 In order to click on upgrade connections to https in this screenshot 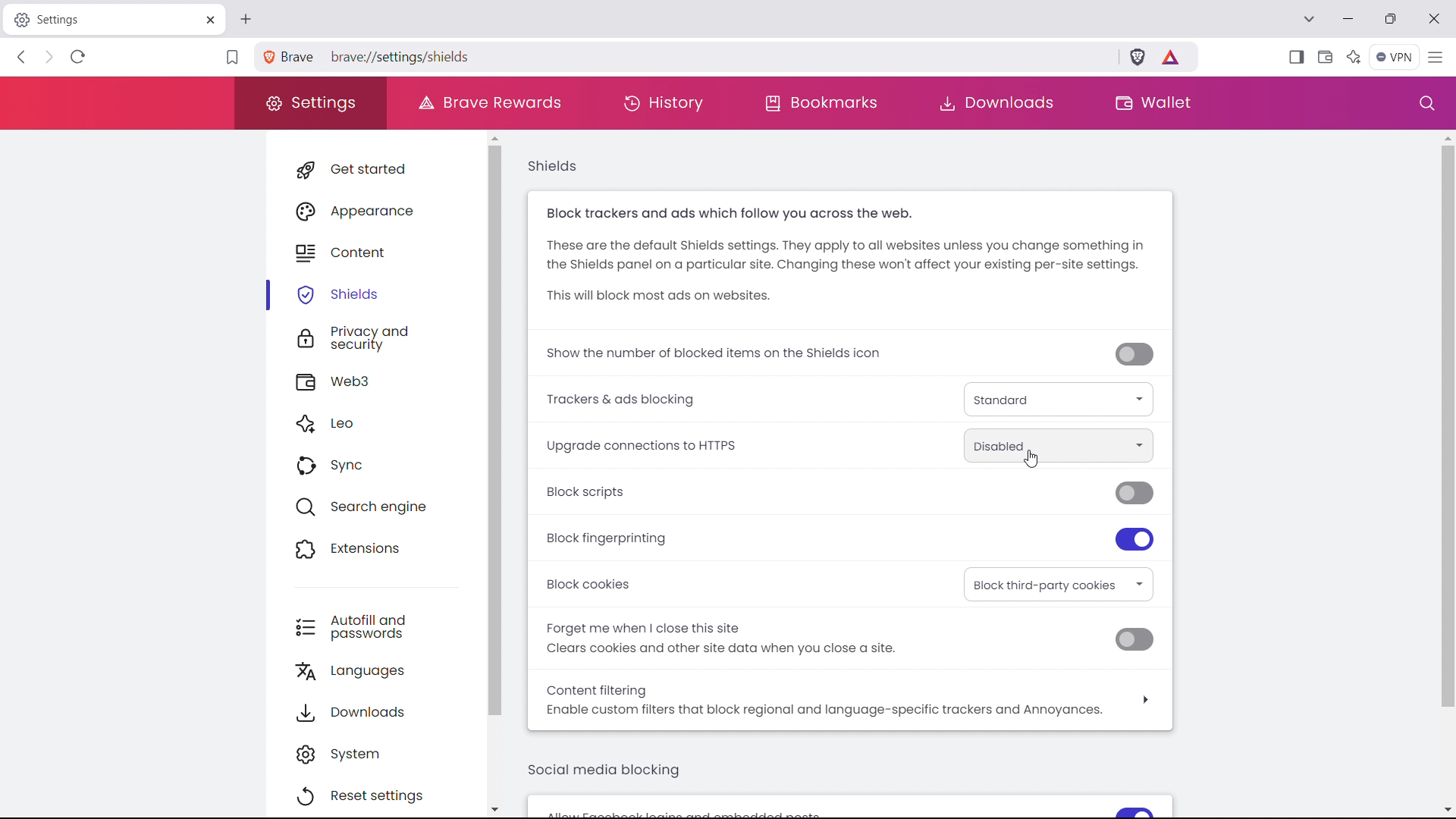, I will do `click(1058, 445)`.